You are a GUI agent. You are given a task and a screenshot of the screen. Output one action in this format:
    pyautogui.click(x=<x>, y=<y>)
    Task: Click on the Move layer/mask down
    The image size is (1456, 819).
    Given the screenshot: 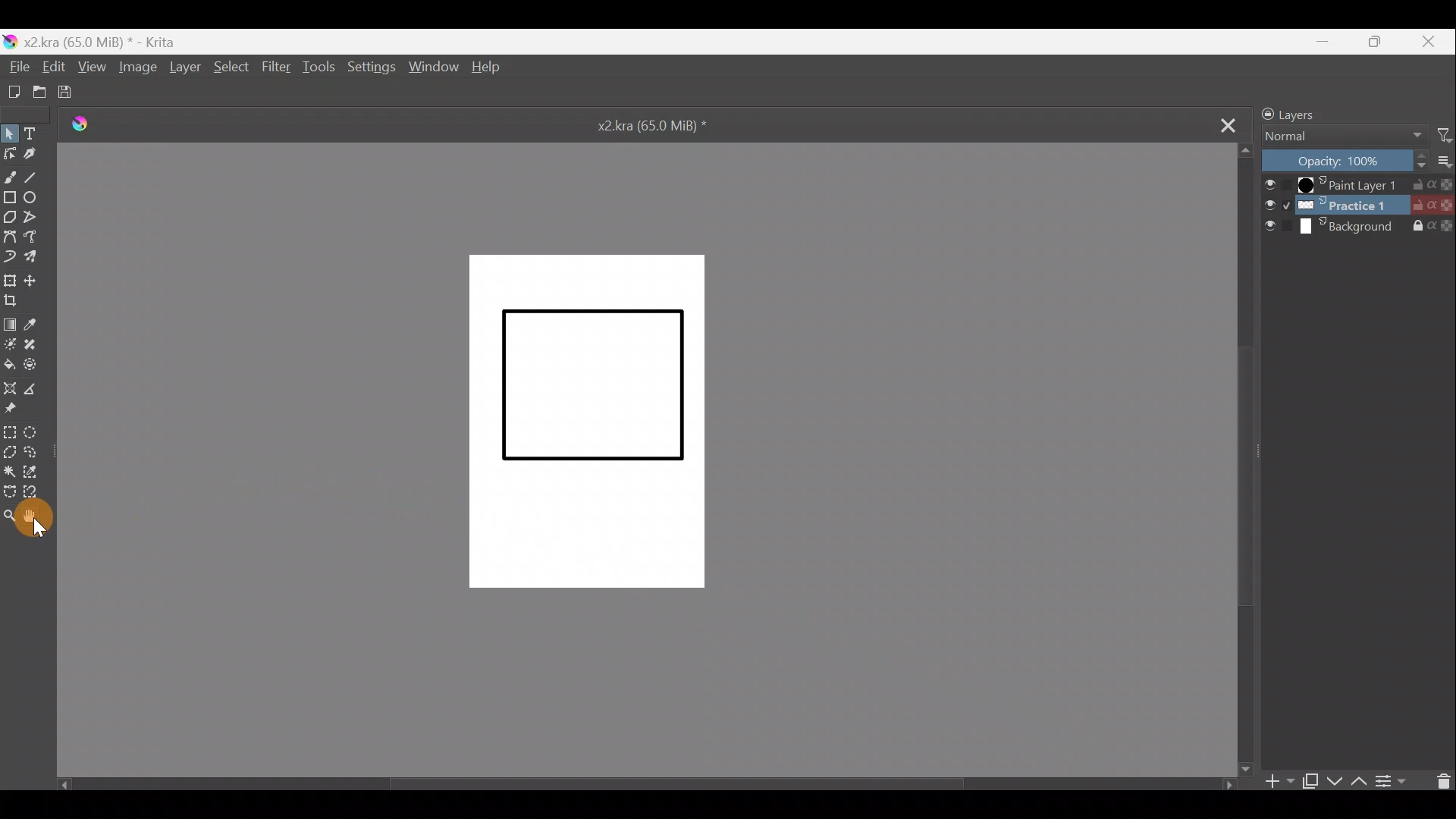 What is the action you would take?
    pyautogui.click(x=1332, y=781)
    